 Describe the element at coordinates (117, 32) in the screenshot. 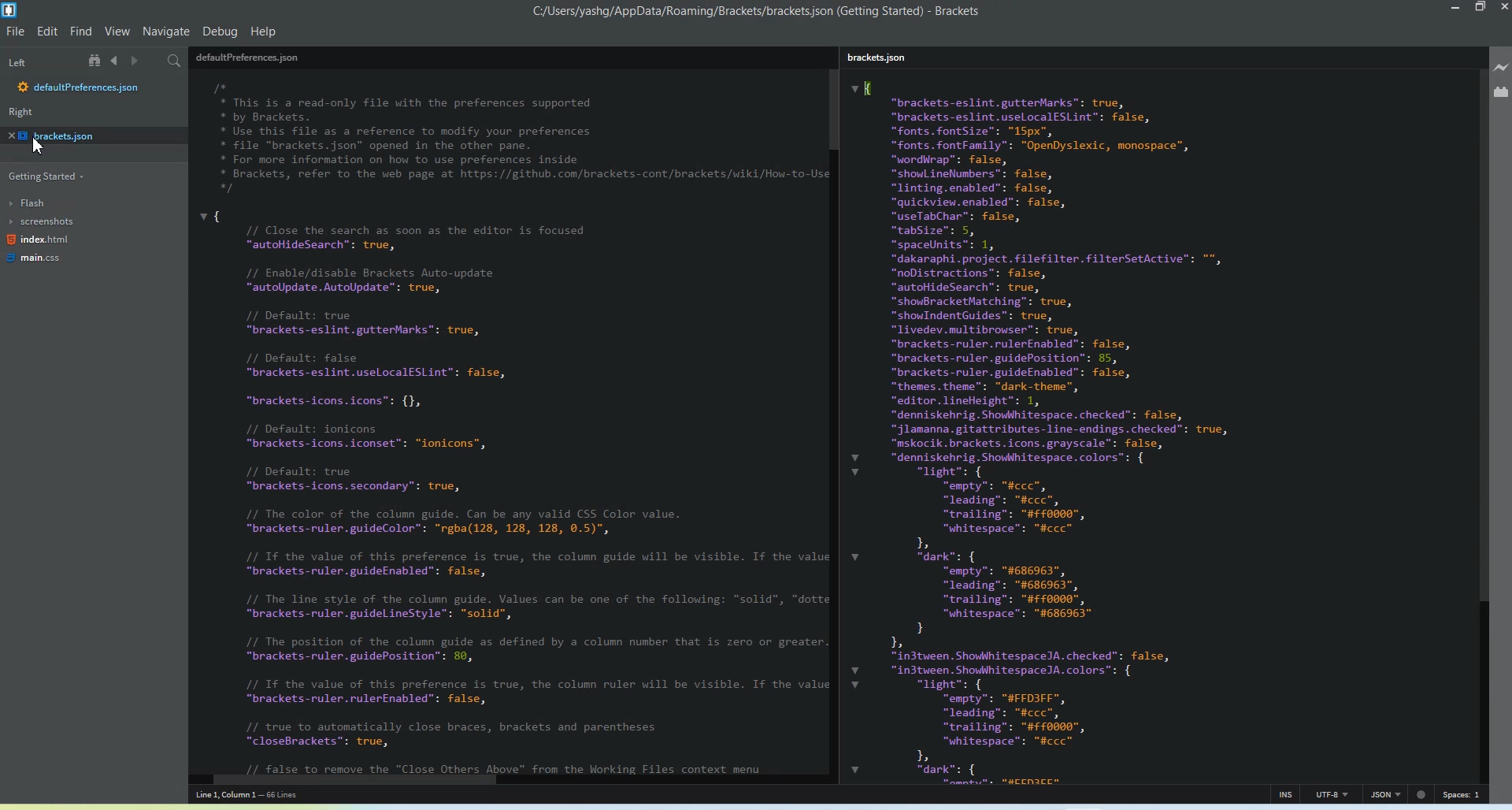

I see `View` at that location.